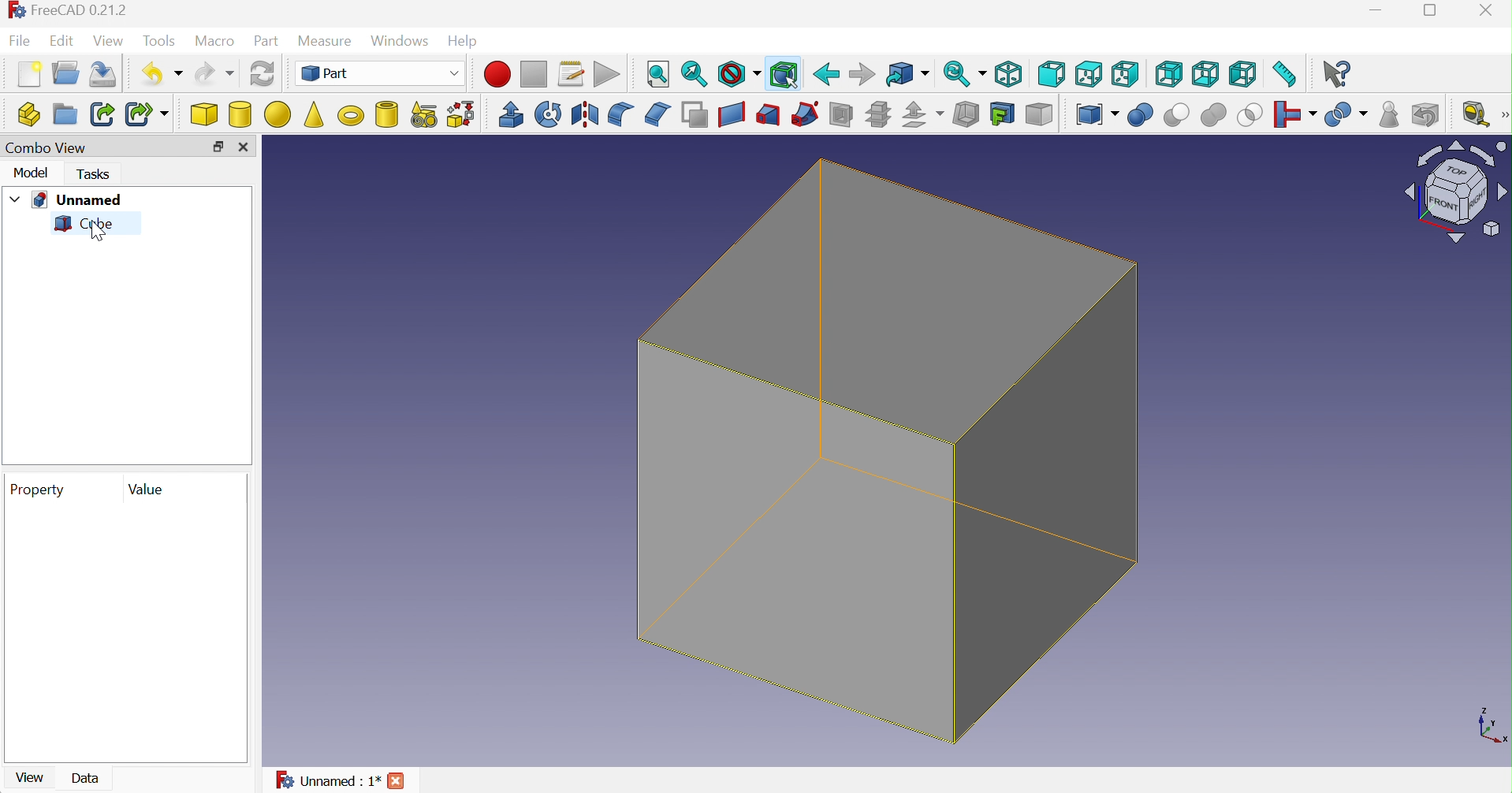  I want to click on Create projection on surface, so click(1001, 114).